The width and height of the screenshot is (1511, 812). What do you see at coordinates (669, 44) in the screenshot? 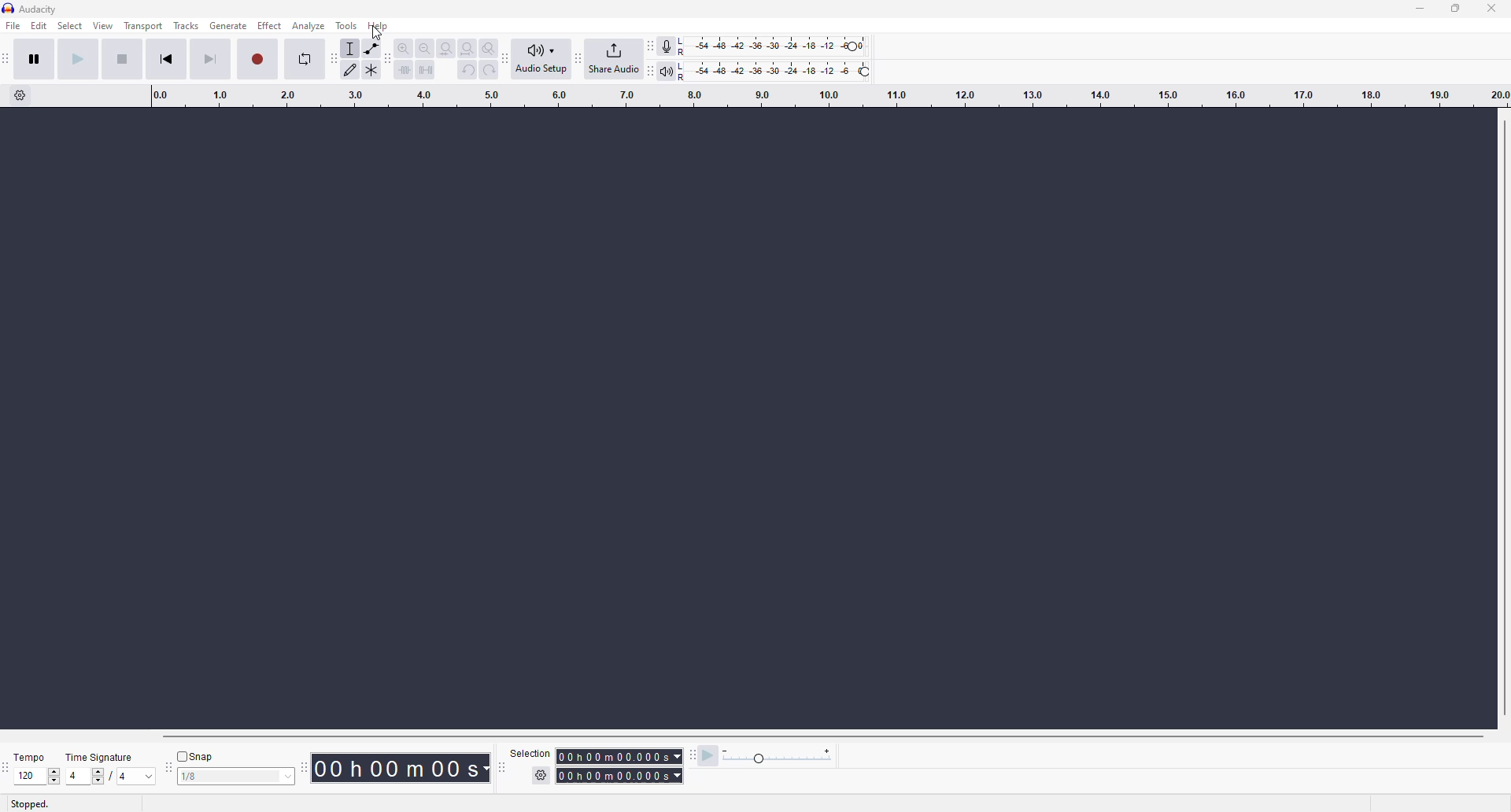
I see `record meter` at bounding box center [669, 44].